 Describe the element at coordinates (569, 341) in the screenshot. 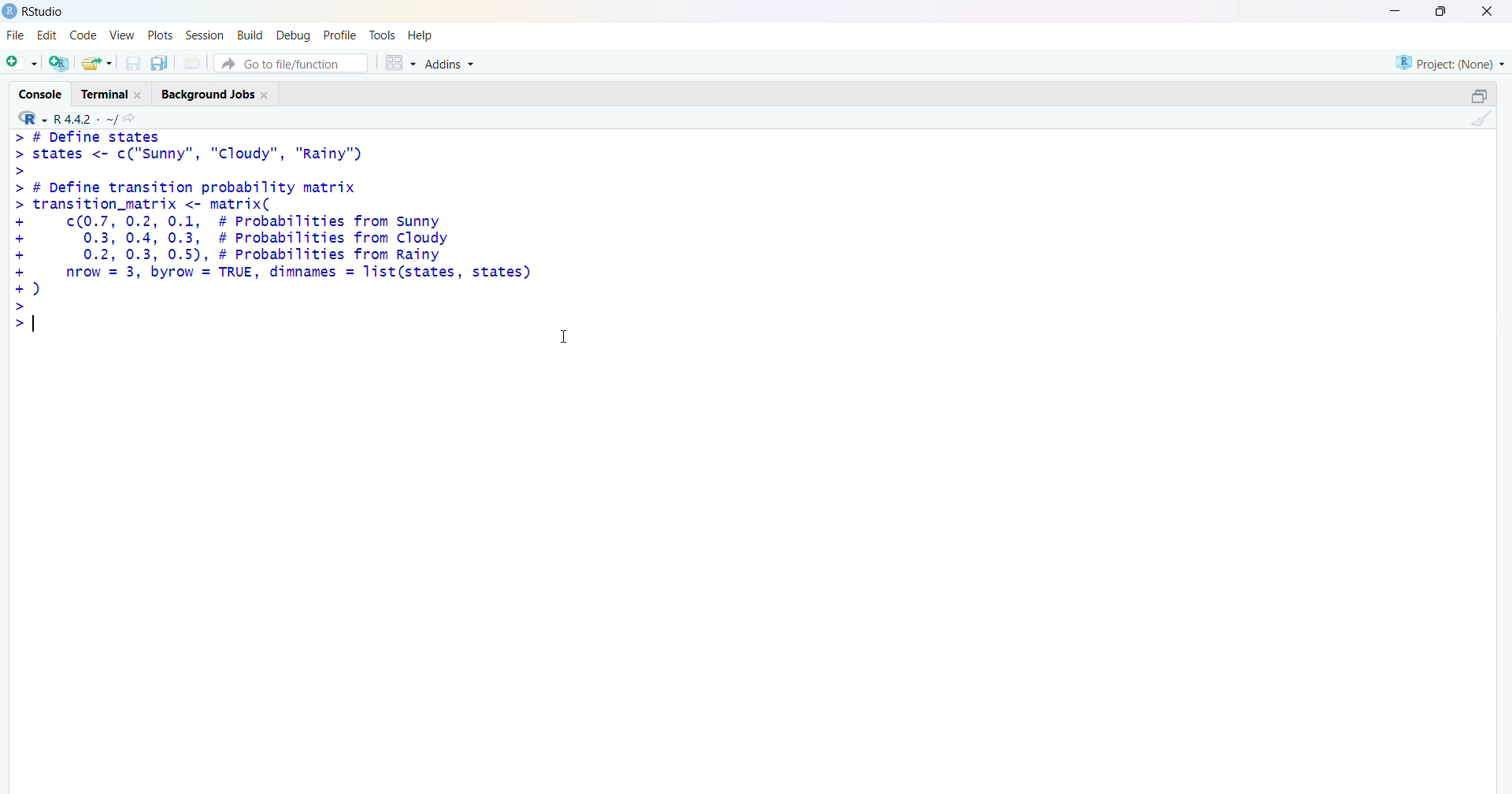

I see `cursor` at that location.